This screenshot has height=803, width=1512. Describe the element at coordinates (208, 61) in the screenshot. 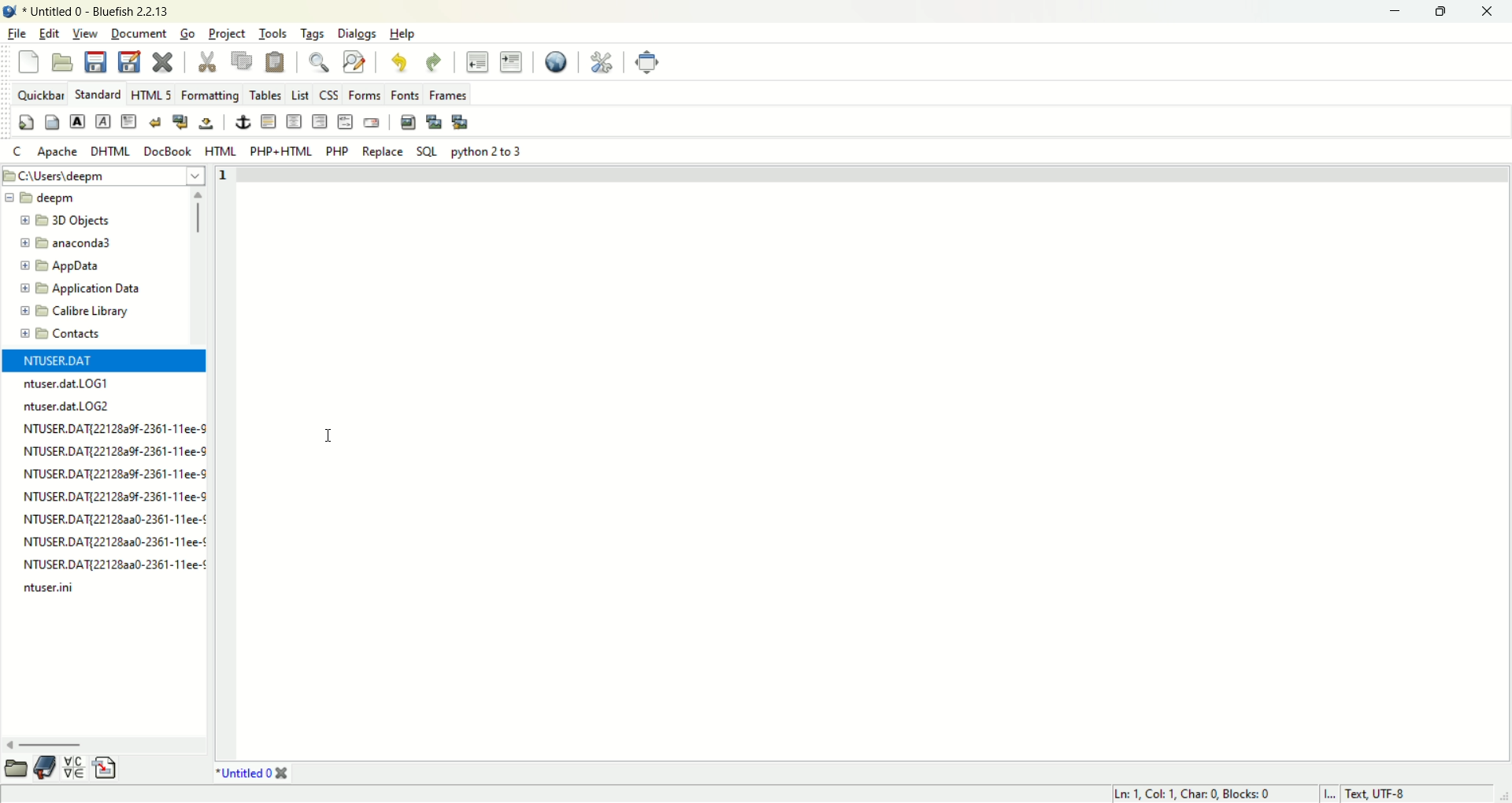

I see `cut` at that location.